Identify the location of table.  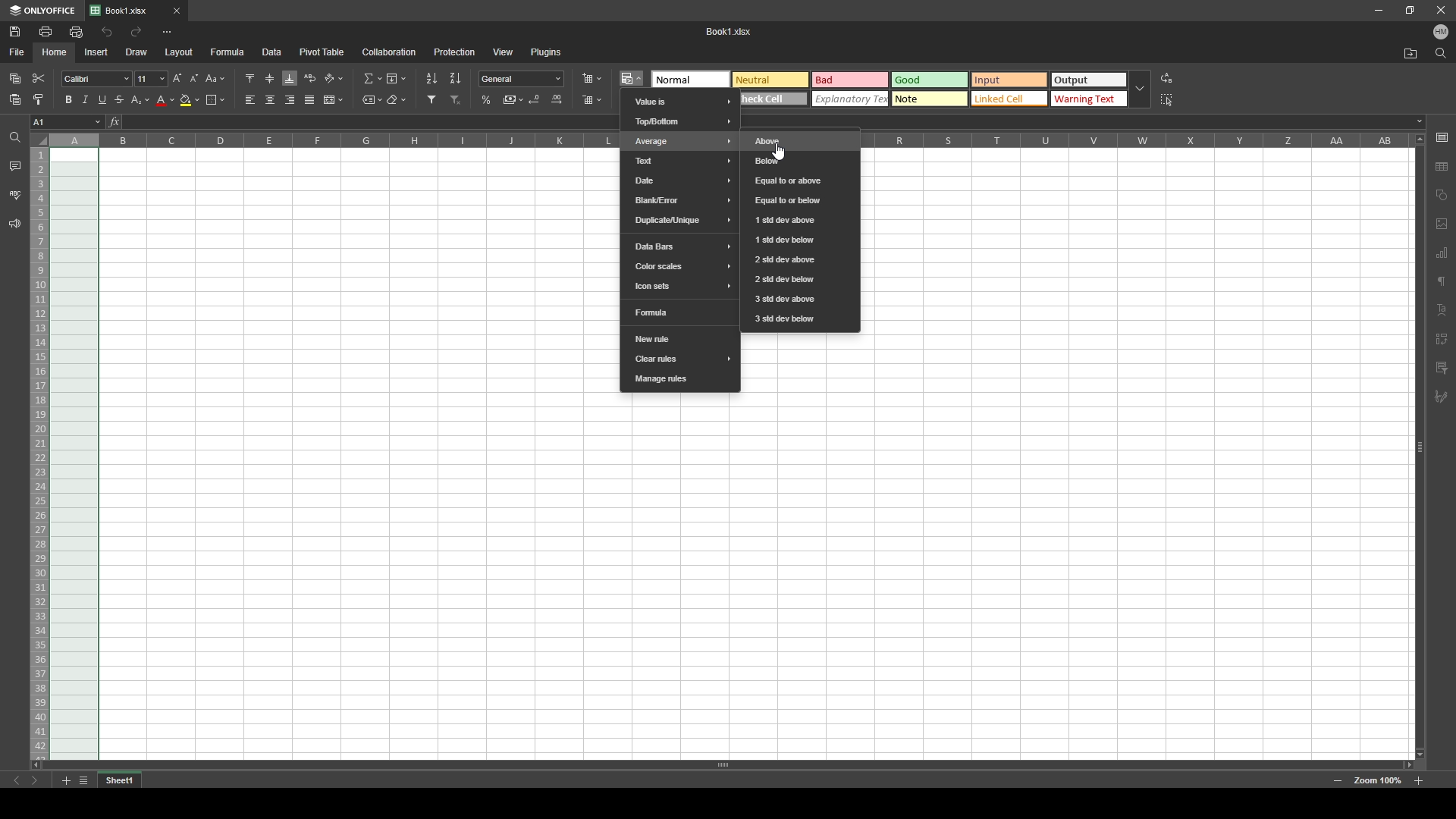
(1442, 165).